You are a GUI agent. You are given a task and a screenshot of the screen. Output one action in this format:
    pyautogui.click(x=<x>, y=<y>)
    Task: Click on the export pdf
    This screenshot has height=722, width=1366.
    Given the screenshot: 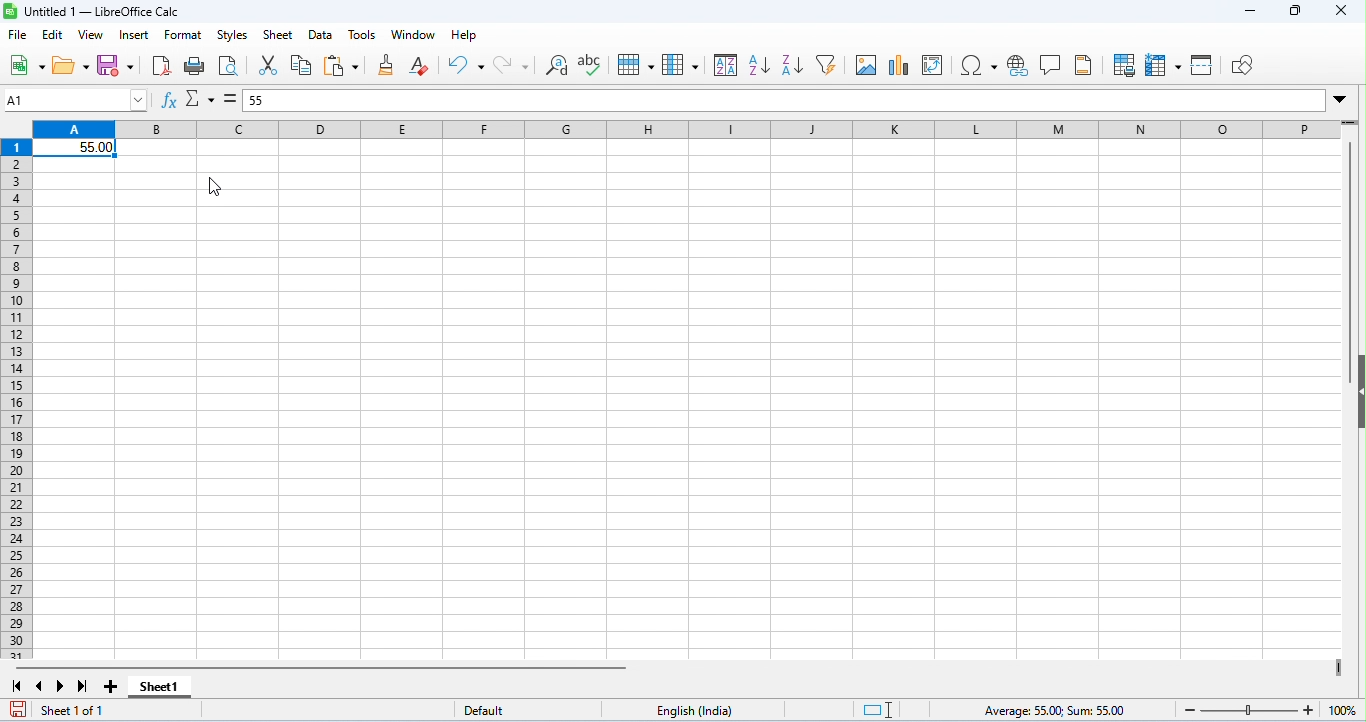 What is the action you would take?
    pyautogui.click(x=162, y=65)
    